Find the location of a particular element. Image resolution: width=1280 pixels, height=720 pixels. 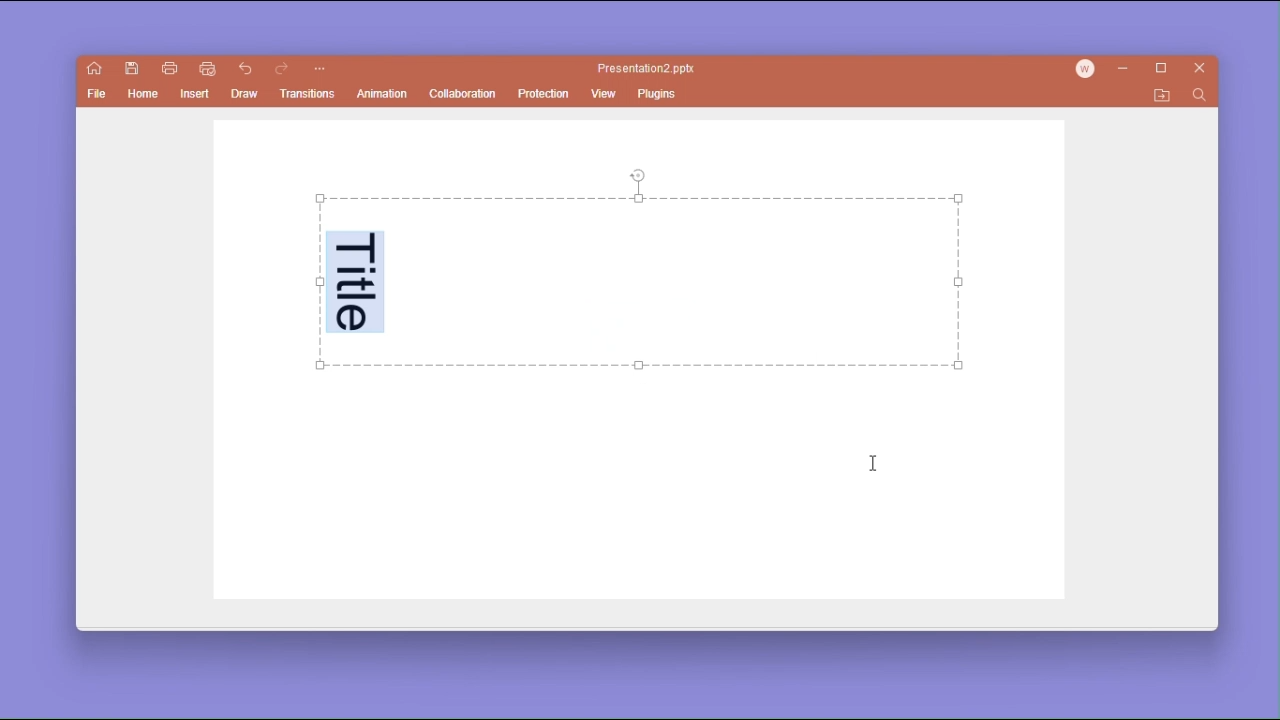

plugins is located at coordinates (659, 93).